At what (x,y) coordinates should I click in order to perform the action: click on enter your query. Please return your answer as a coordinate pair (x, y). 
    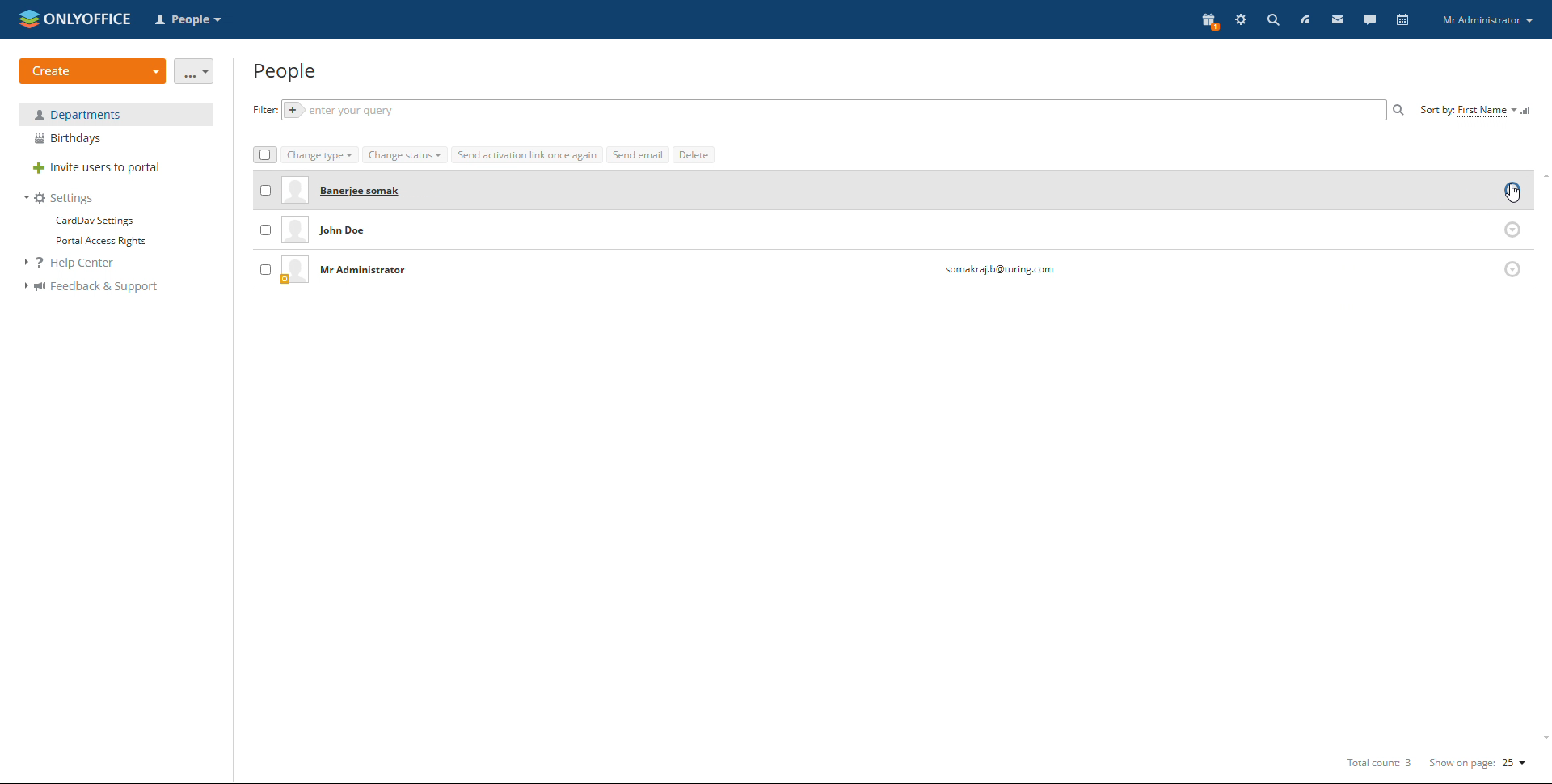
    Looking at the image, I should click on (831, 111).